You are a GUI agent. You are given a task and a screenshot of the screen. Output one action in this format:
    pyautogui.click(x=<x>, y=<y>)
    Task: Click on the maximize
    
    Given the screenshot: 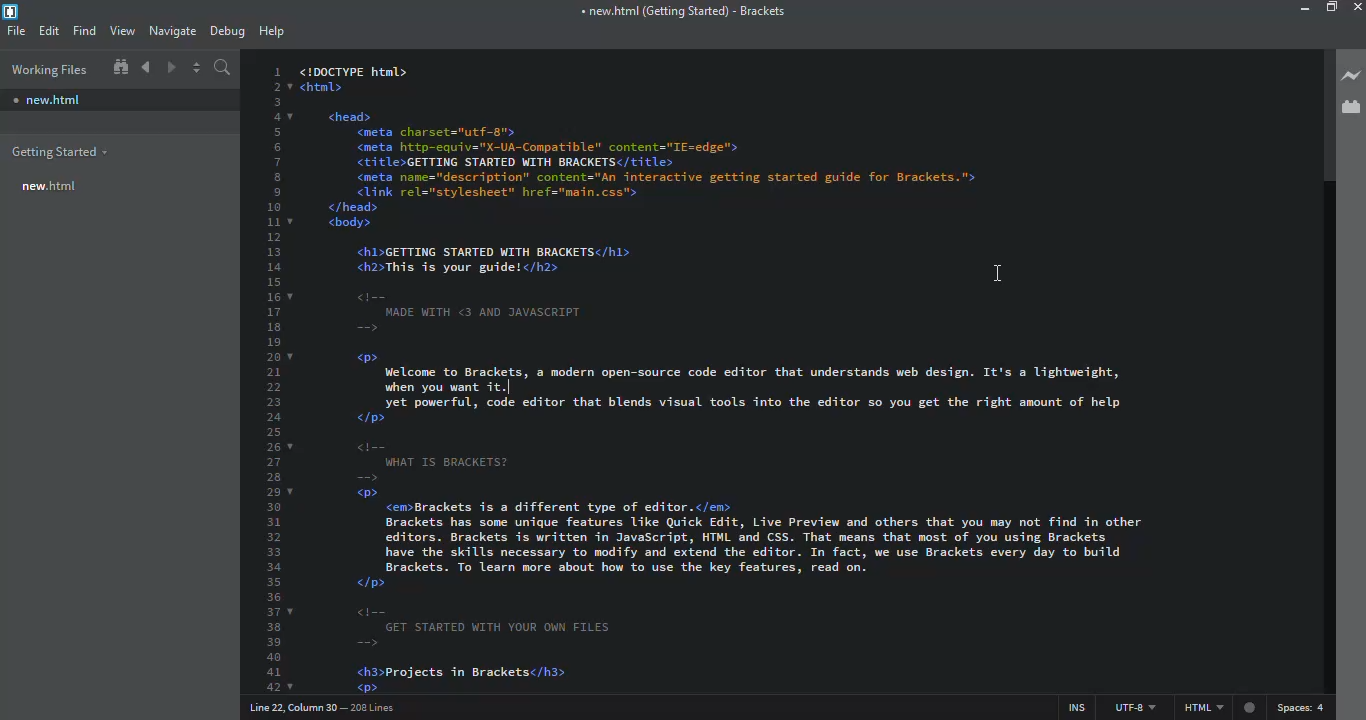 What is the action you would take?
    pyautogui.click(x=1334, y=7)
    